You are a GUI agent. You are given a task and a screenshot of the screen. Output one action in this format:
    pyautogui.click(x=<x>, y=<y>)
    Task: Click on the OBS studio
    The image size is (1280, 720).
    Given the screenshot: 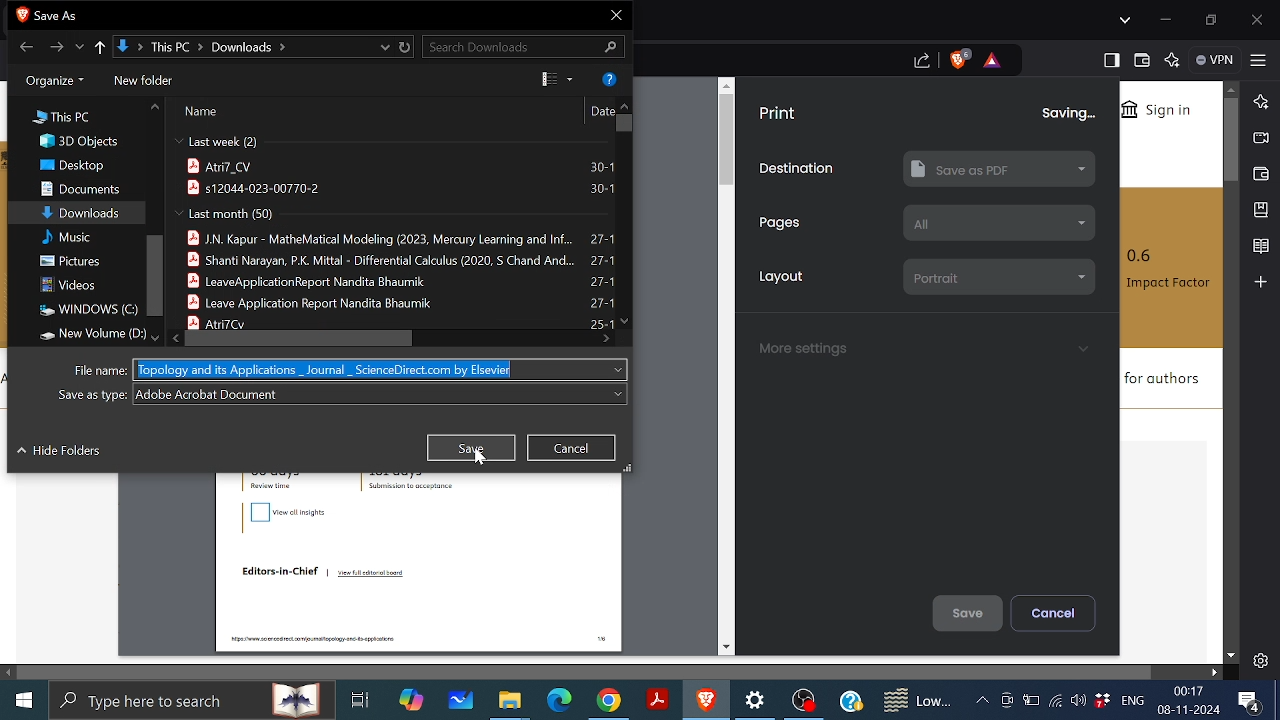 What is the action you would take?
    pyautogui.click(x=805, y=701)
    